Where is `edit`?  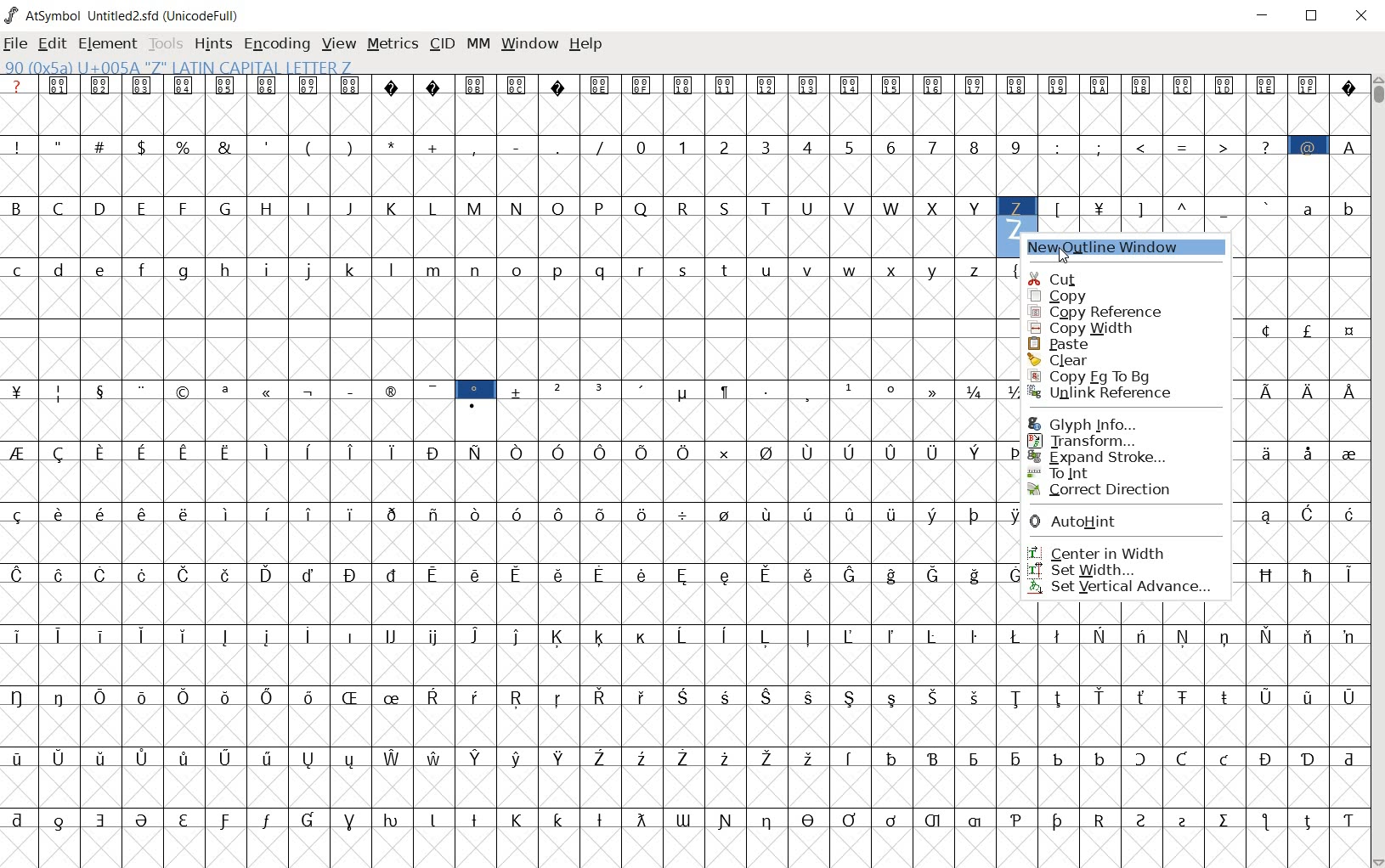 edit is located at coordinates (54, 45).